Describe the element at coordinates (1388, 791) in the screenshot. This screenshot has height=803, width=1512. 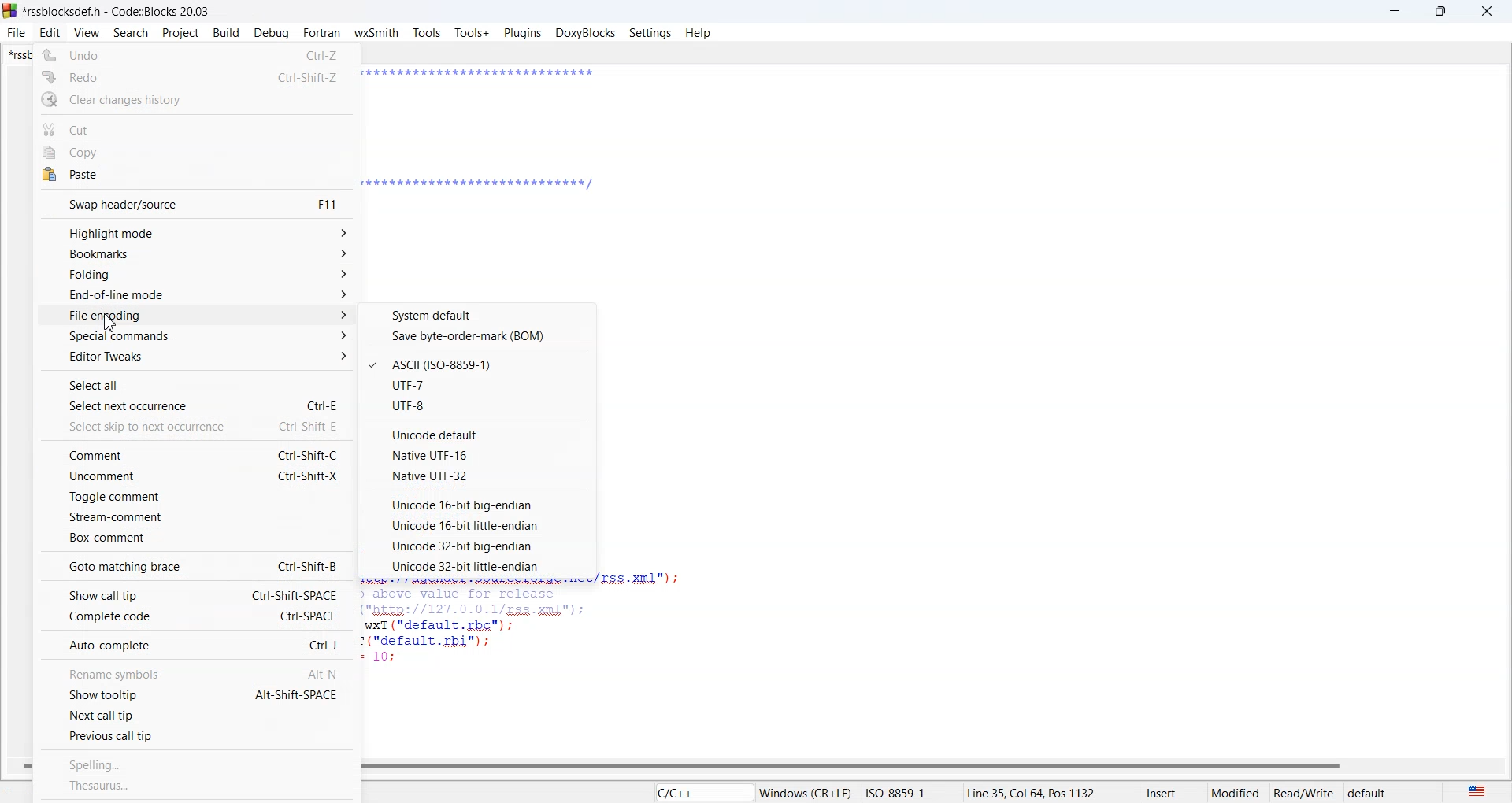
I see `default` at that location.